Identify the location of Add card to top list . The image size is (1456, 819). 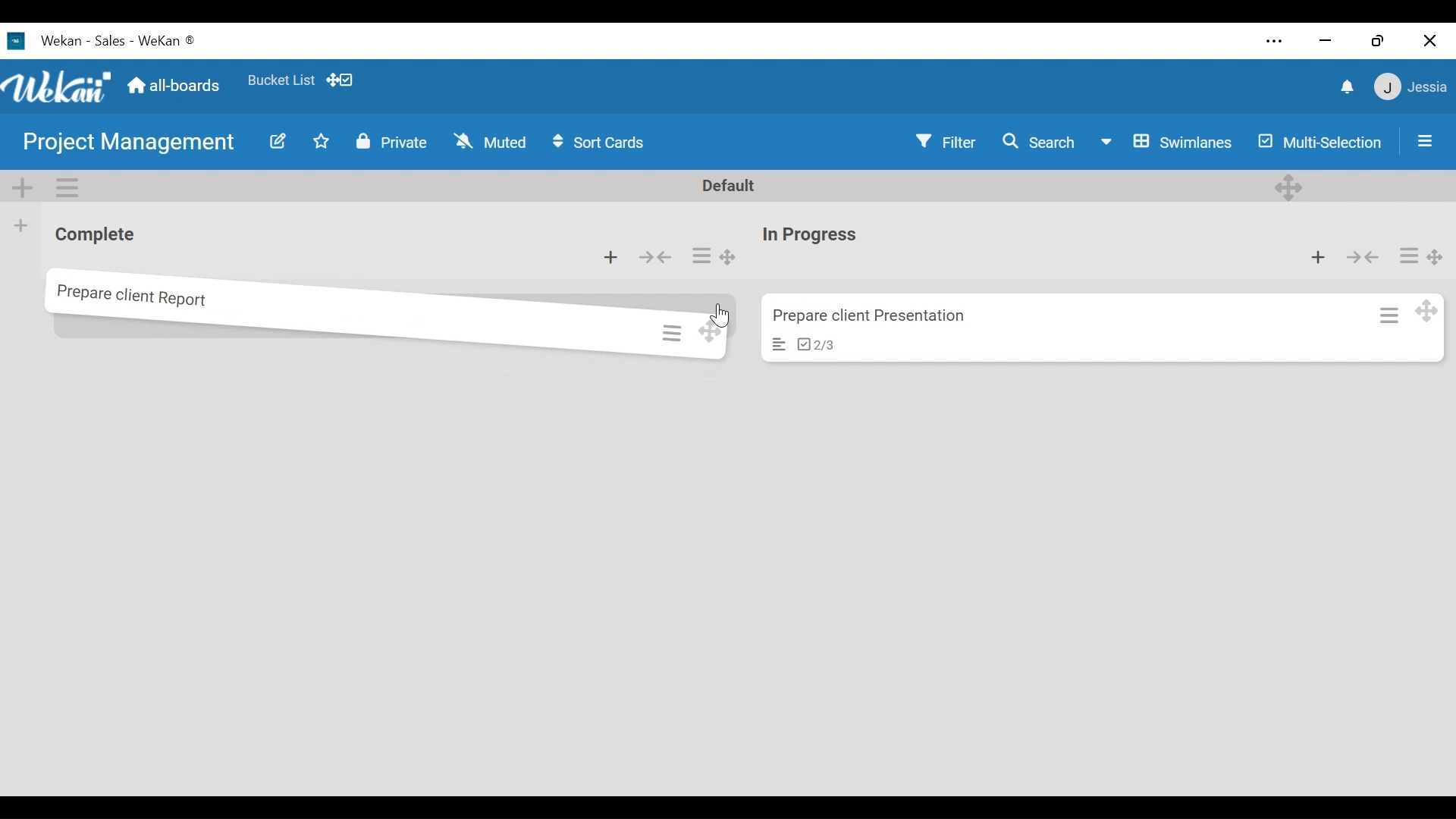
(1318, 259).